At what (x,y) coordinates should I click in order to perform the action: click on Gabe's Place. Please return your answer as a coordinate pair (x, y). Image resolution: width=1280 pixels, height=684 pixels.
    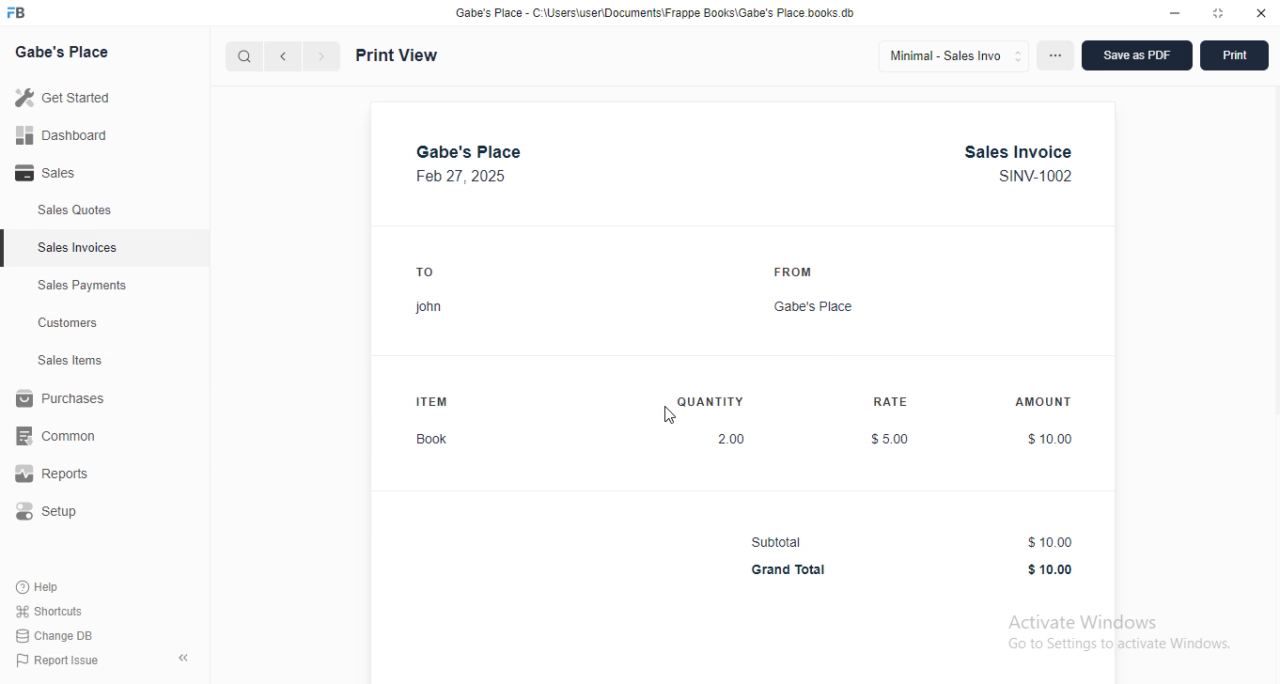
    Looking at the image, I should click on (814, 307).